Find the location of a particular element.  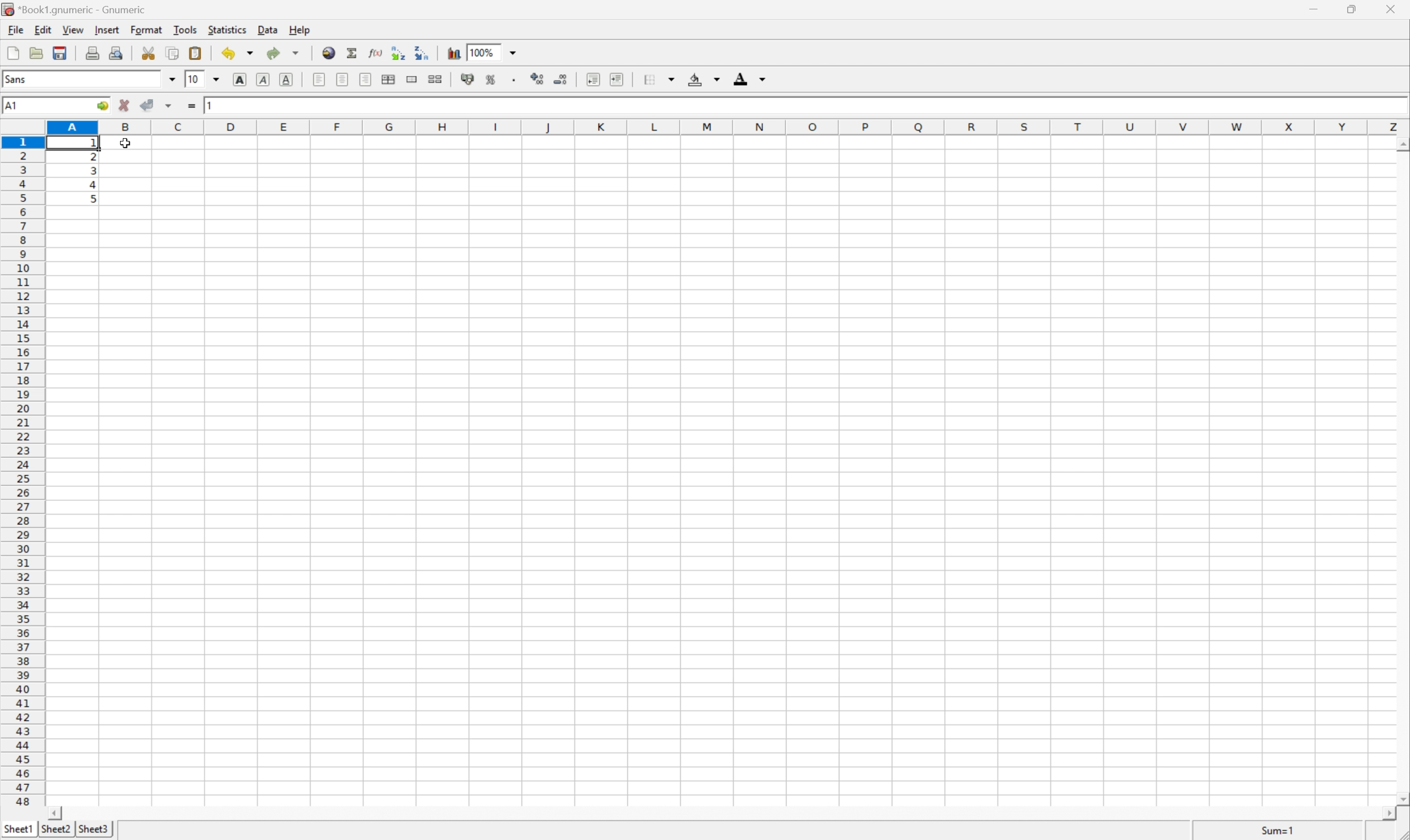

Print preview is located at coordinates (116, 52).